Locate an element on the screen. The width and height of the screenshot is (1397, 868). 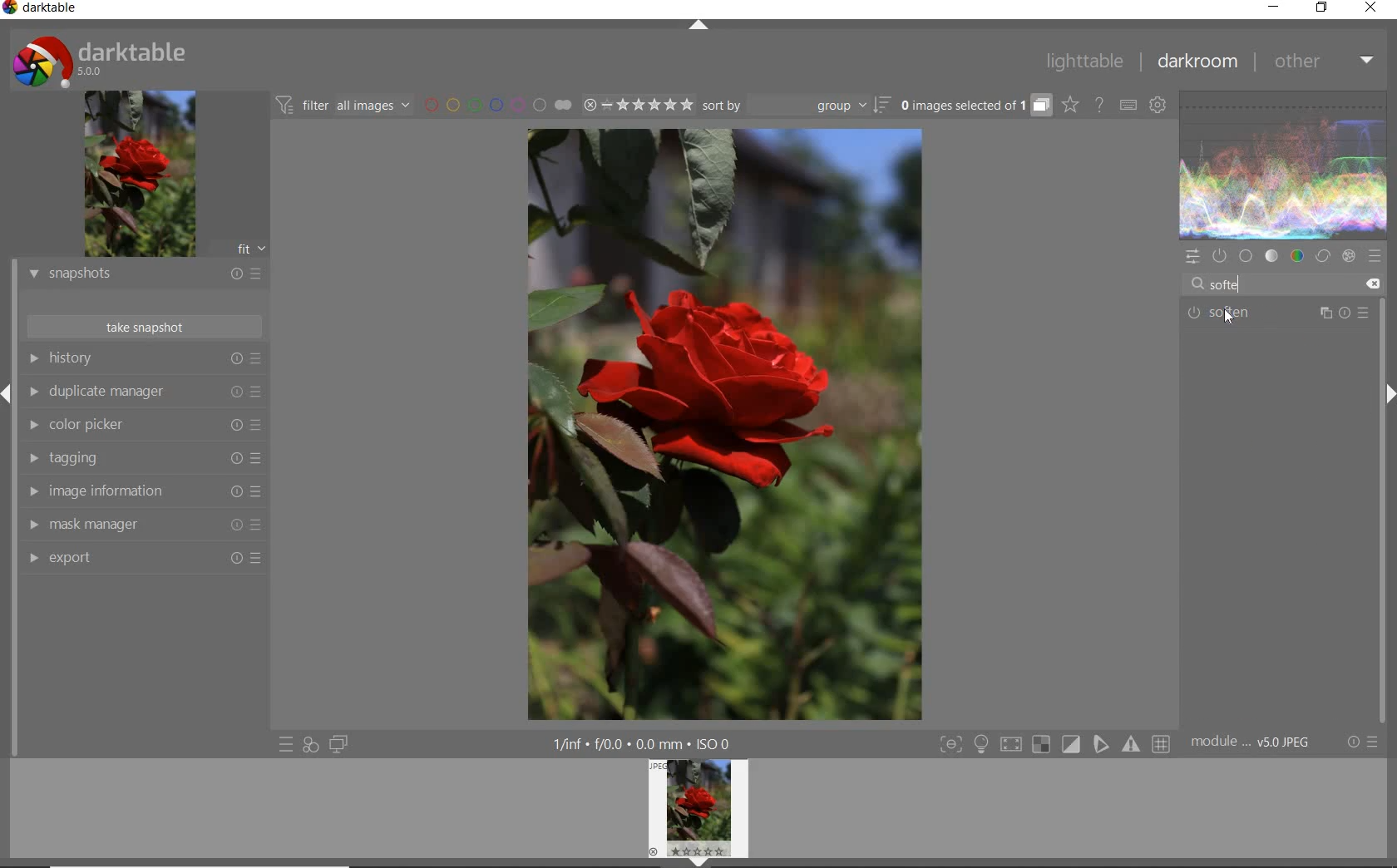
waveform is located at coordinates (1284, 163).